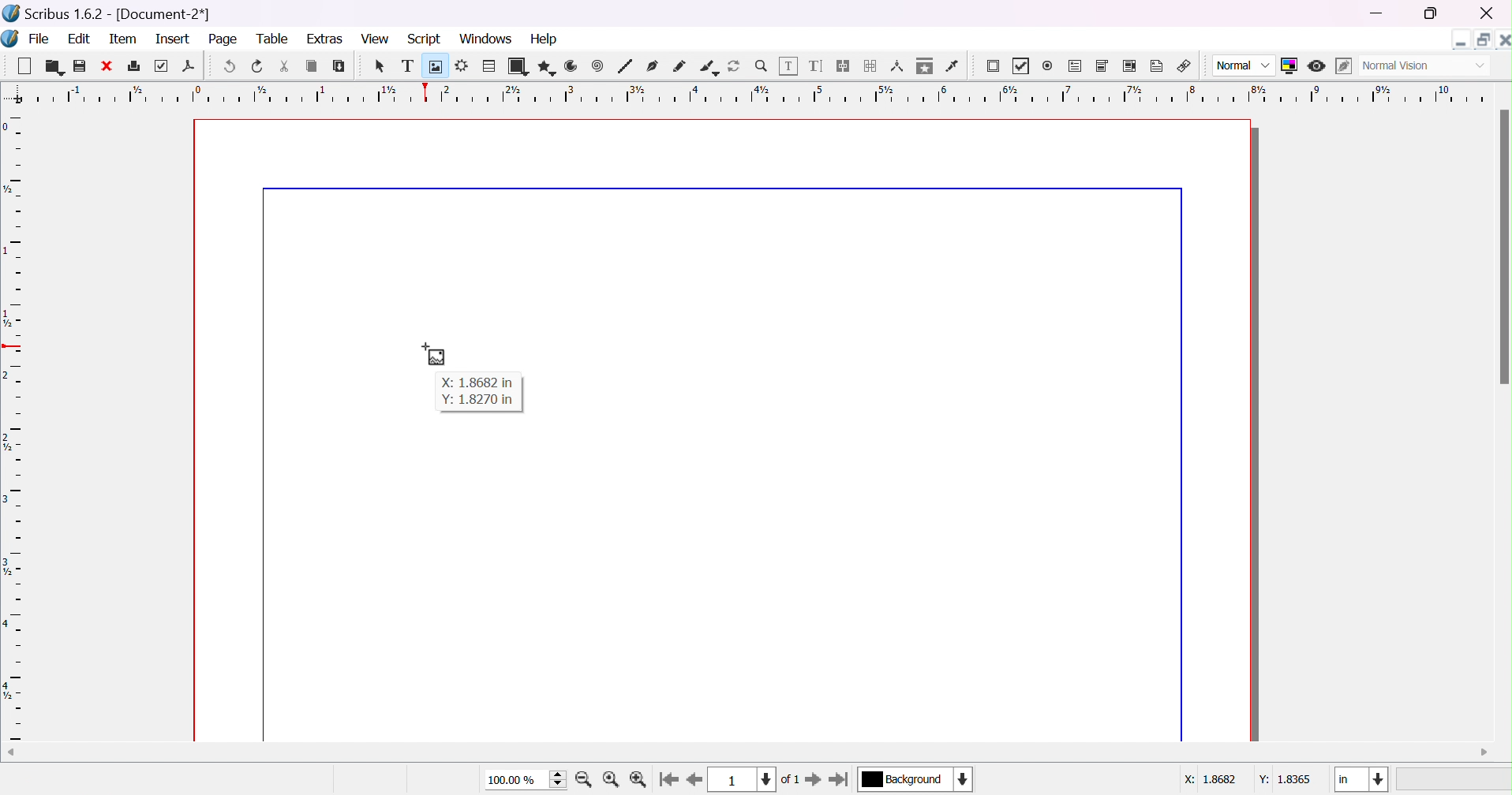 This screenshot has height=795, width=1512. Describe the element at coordinates (407, 66) in the screenshot. I see `text frame` at that location.